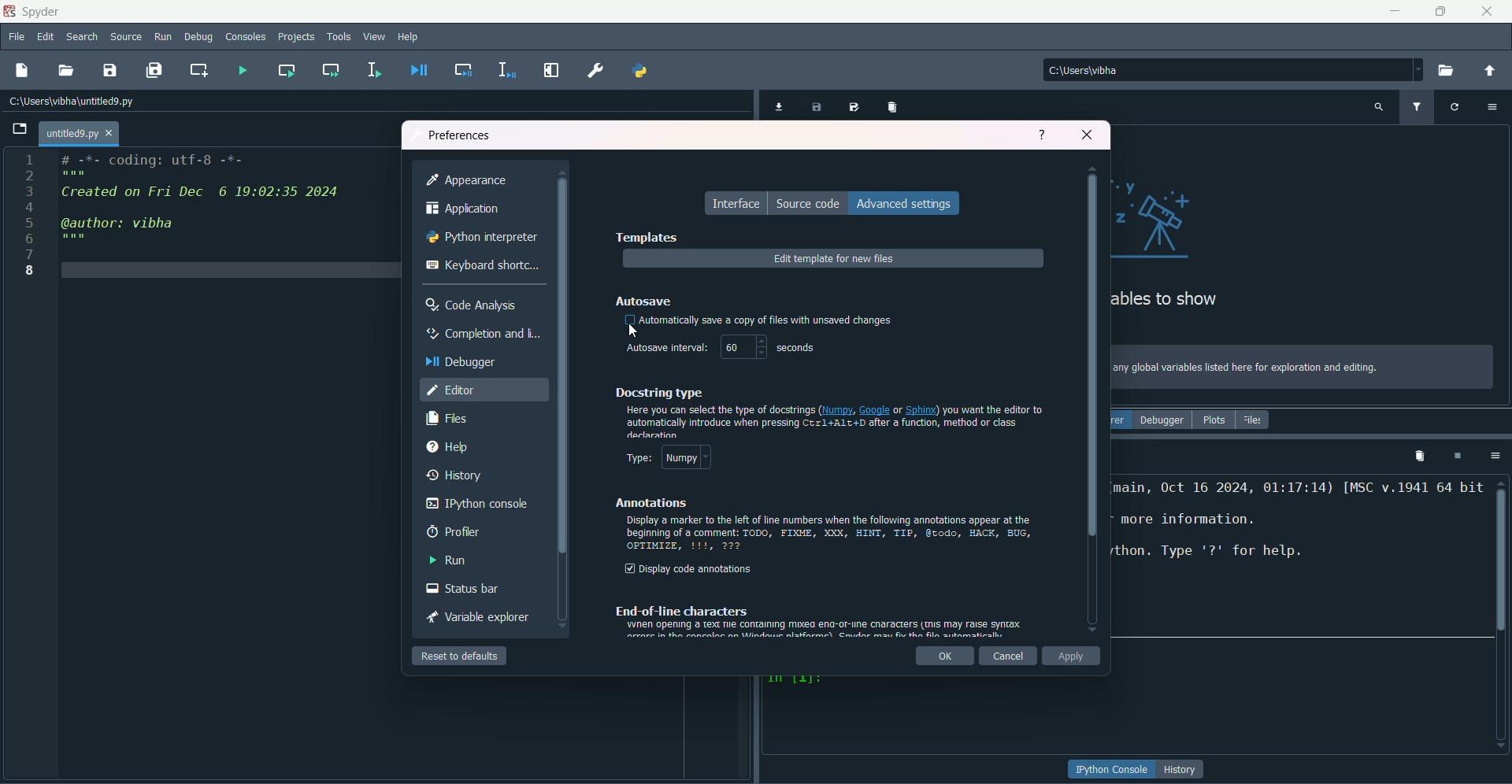  Describe the element at coordinates (645, 236) in the screenshot. I see `templates` at that location.